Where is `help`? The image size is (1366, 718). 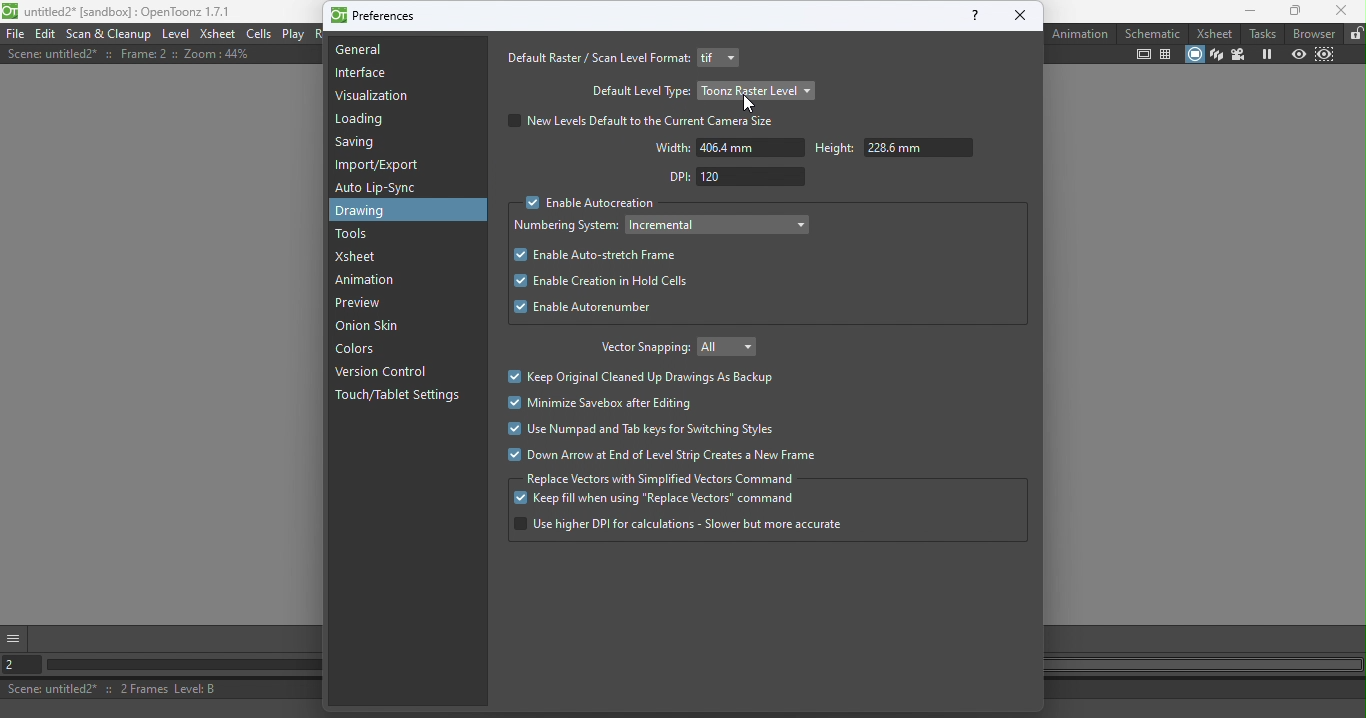
help is located at coordinates (973, 15).